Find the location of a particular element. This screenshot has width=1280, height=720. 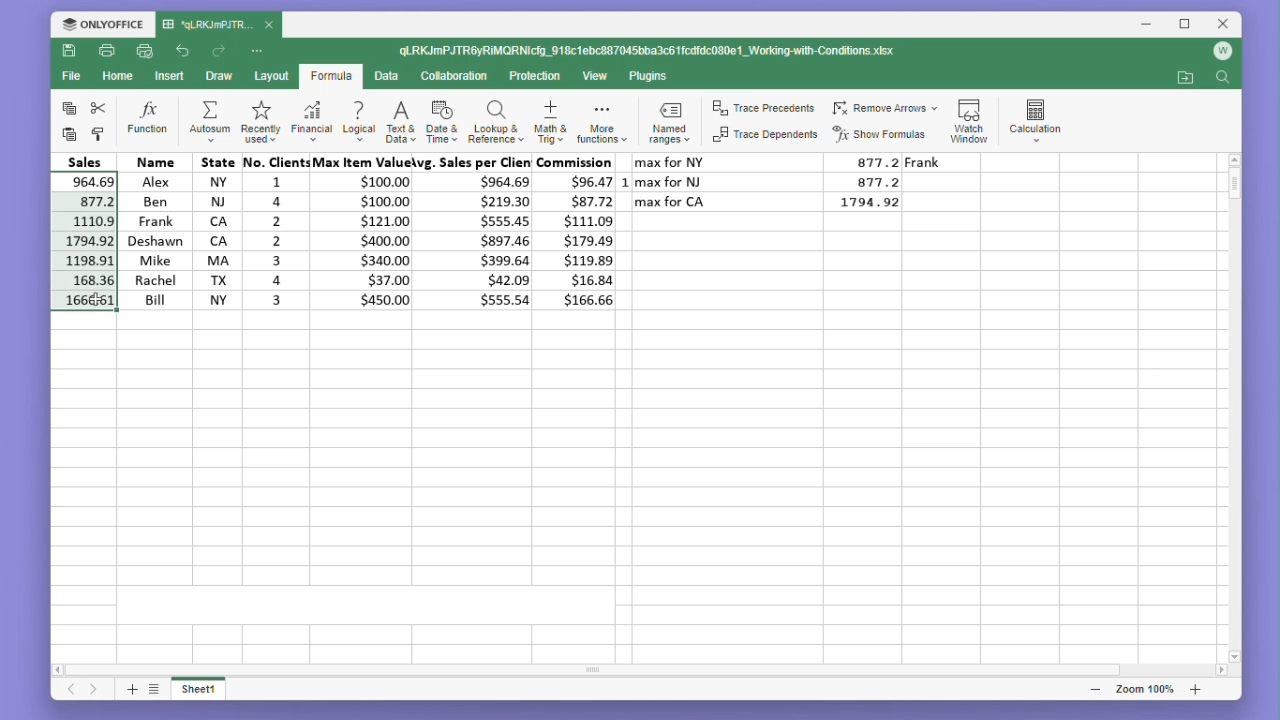

Formula is located at coordinates (331, 77).